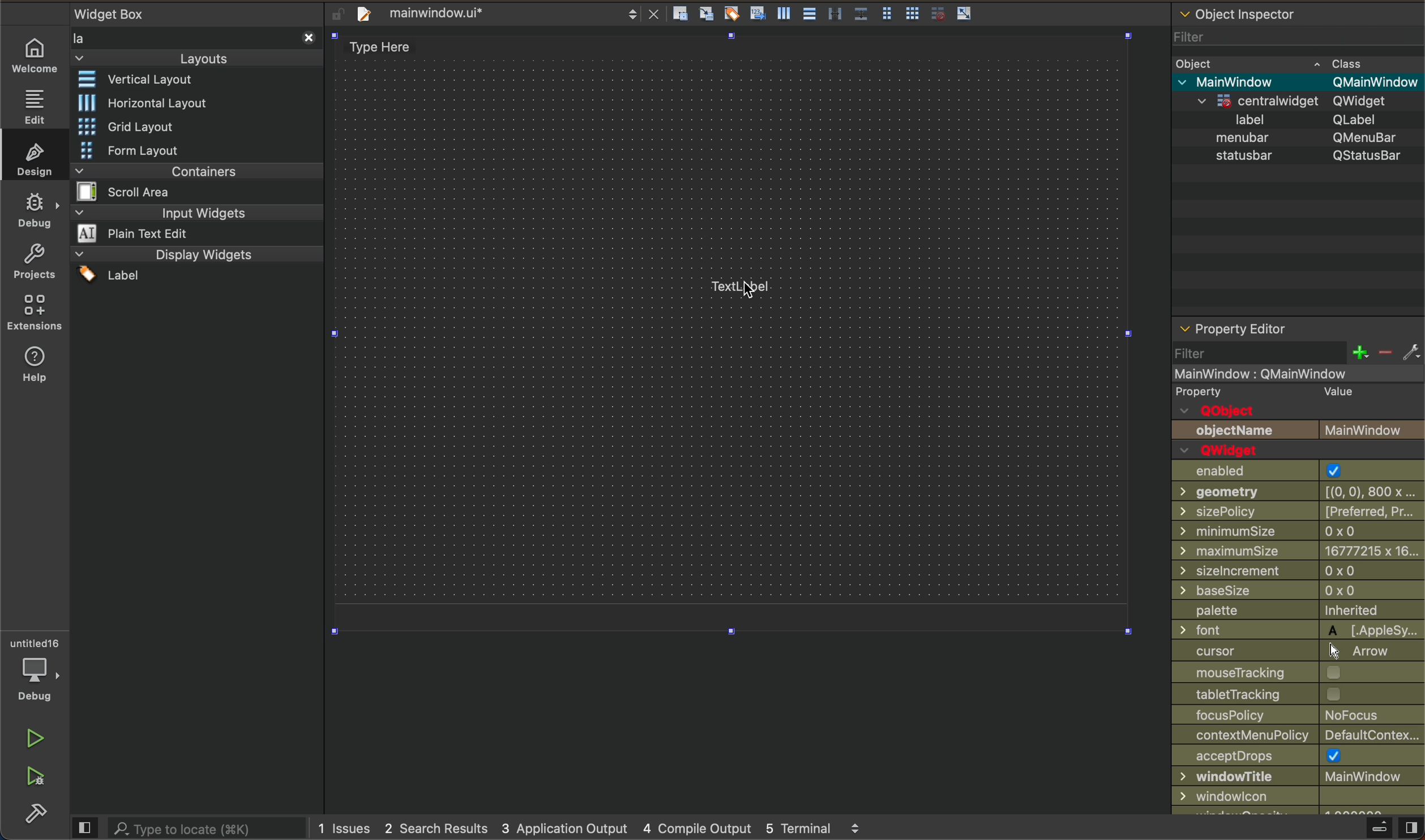 This screenshot has width=1425, height=840. I want to click on grid layout, so click(146, 127).